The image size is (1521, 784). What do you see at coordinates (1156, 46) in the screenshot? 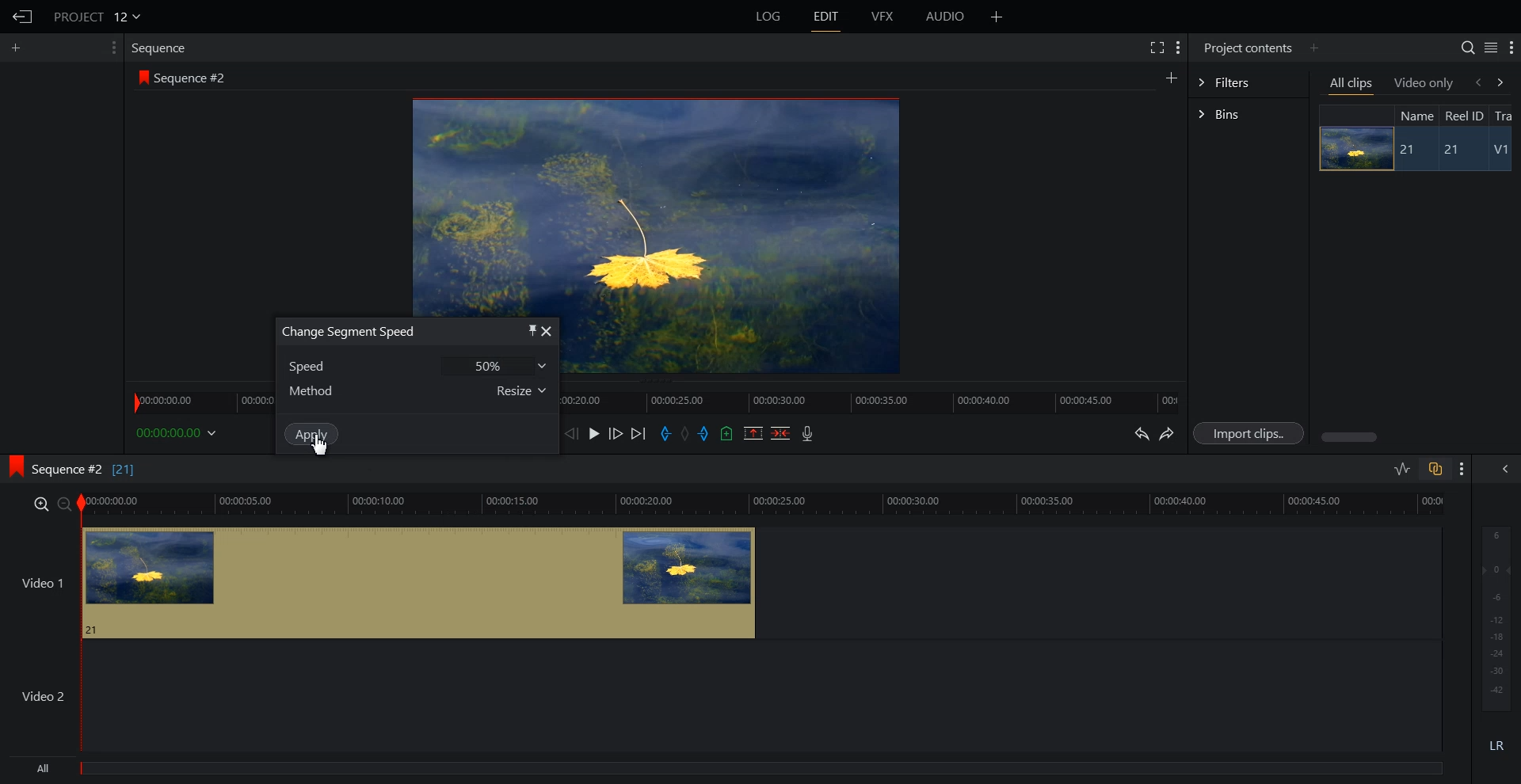
I see `Full screen` at bounding box center [1156, 46].